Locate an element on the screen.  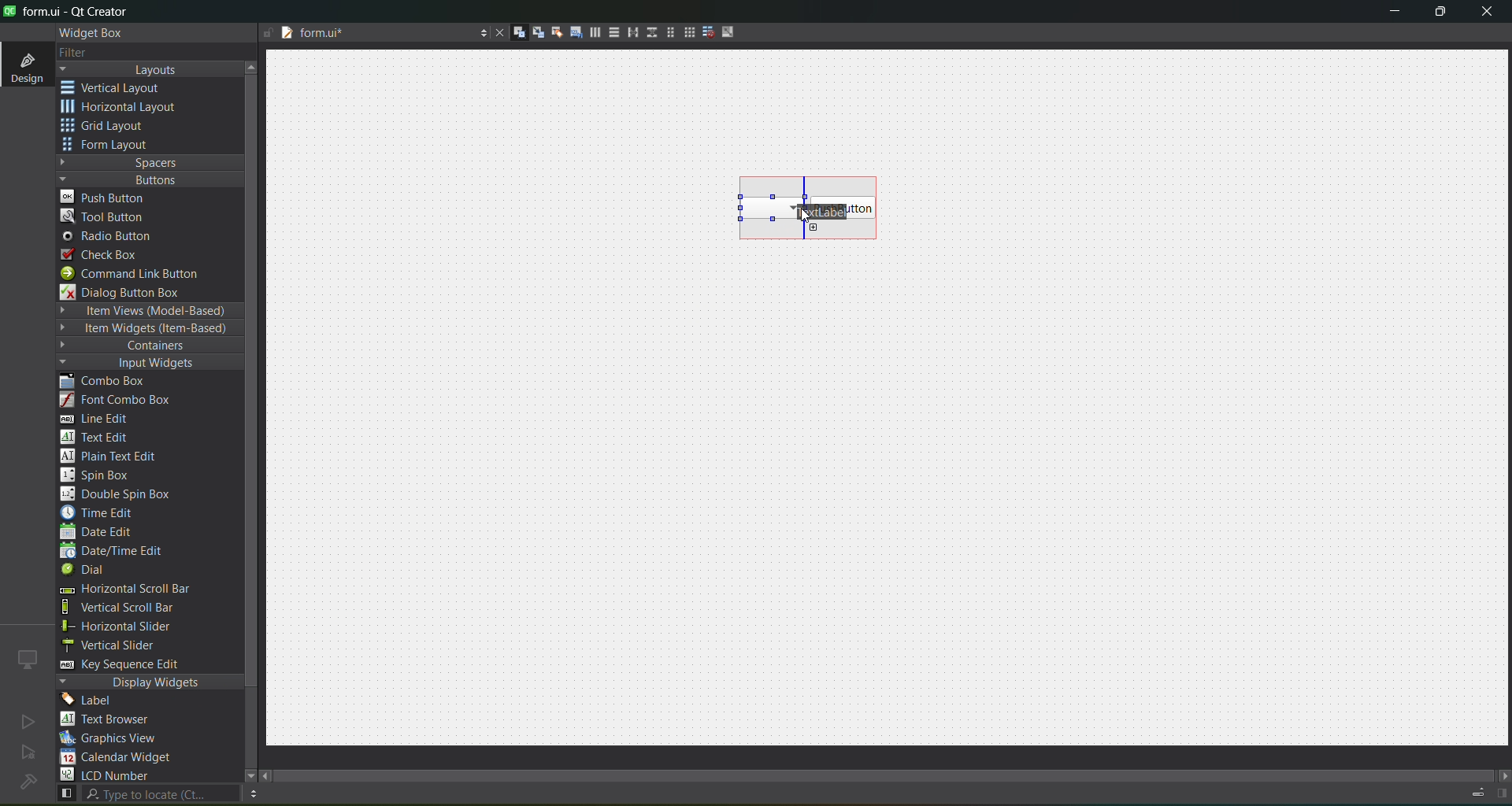
icon is located at coordinates (28, 659).